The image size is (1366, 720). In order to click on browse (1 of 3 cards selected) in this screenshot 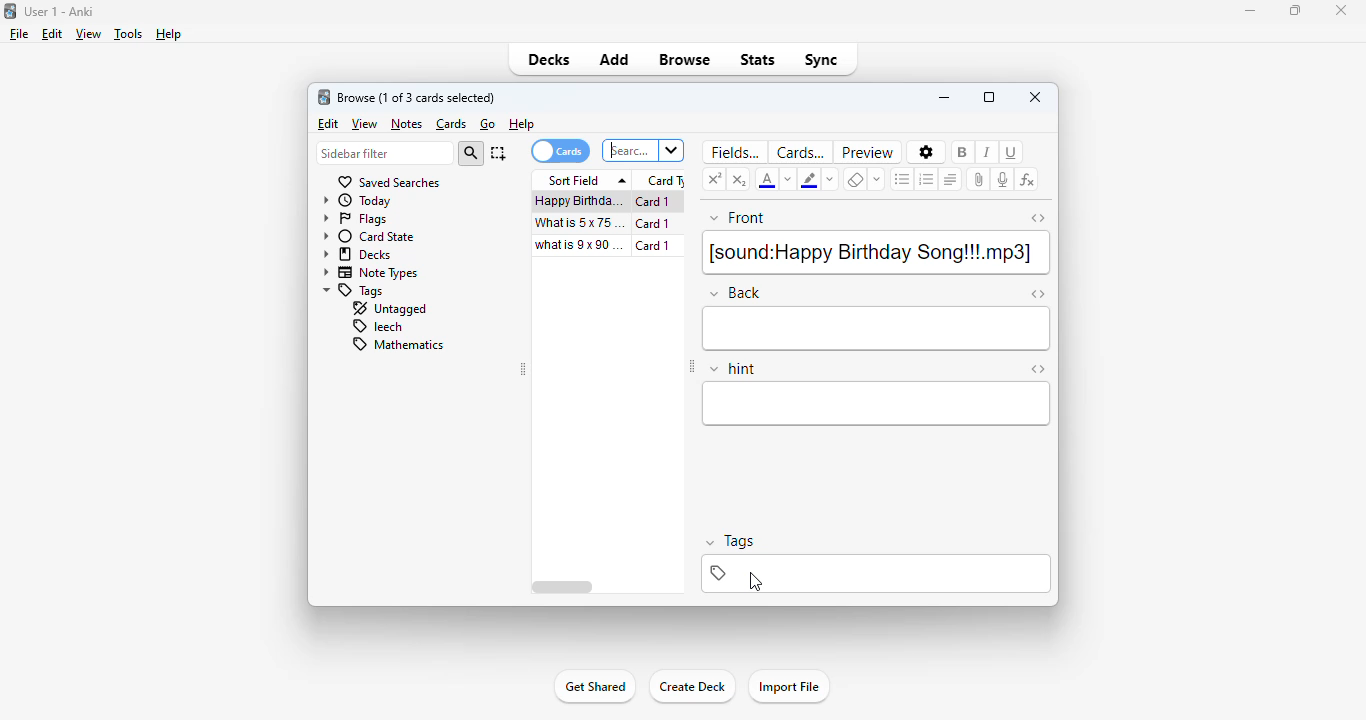, I will do `click(417, 98)`.